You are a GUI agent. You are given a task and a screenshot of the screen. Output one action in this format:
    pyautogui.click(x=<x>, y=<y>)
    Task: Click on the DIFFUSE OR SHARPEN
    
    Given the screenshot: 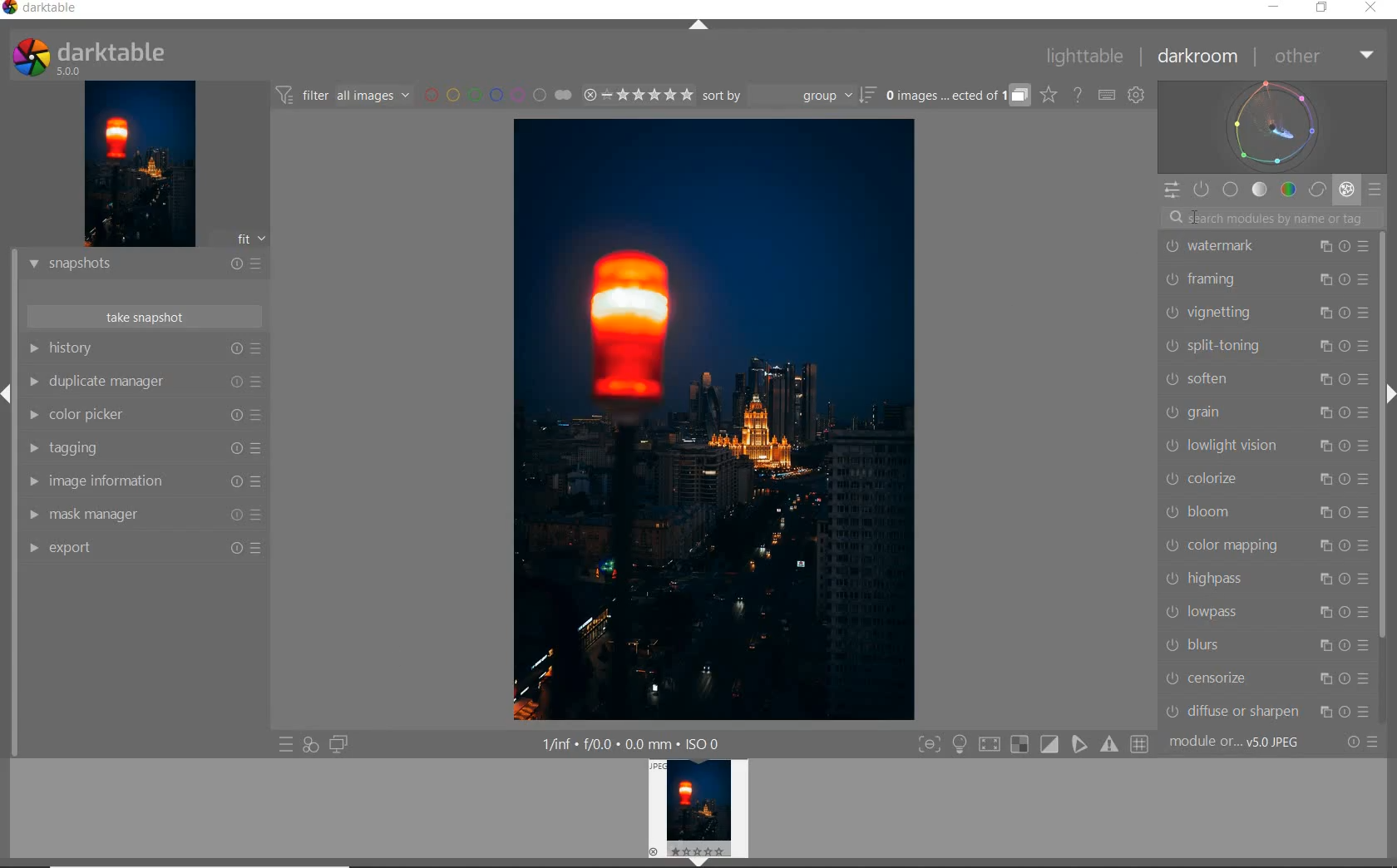 What is the action you would take?
    pyautogui.click(x=1232, y=710)
    